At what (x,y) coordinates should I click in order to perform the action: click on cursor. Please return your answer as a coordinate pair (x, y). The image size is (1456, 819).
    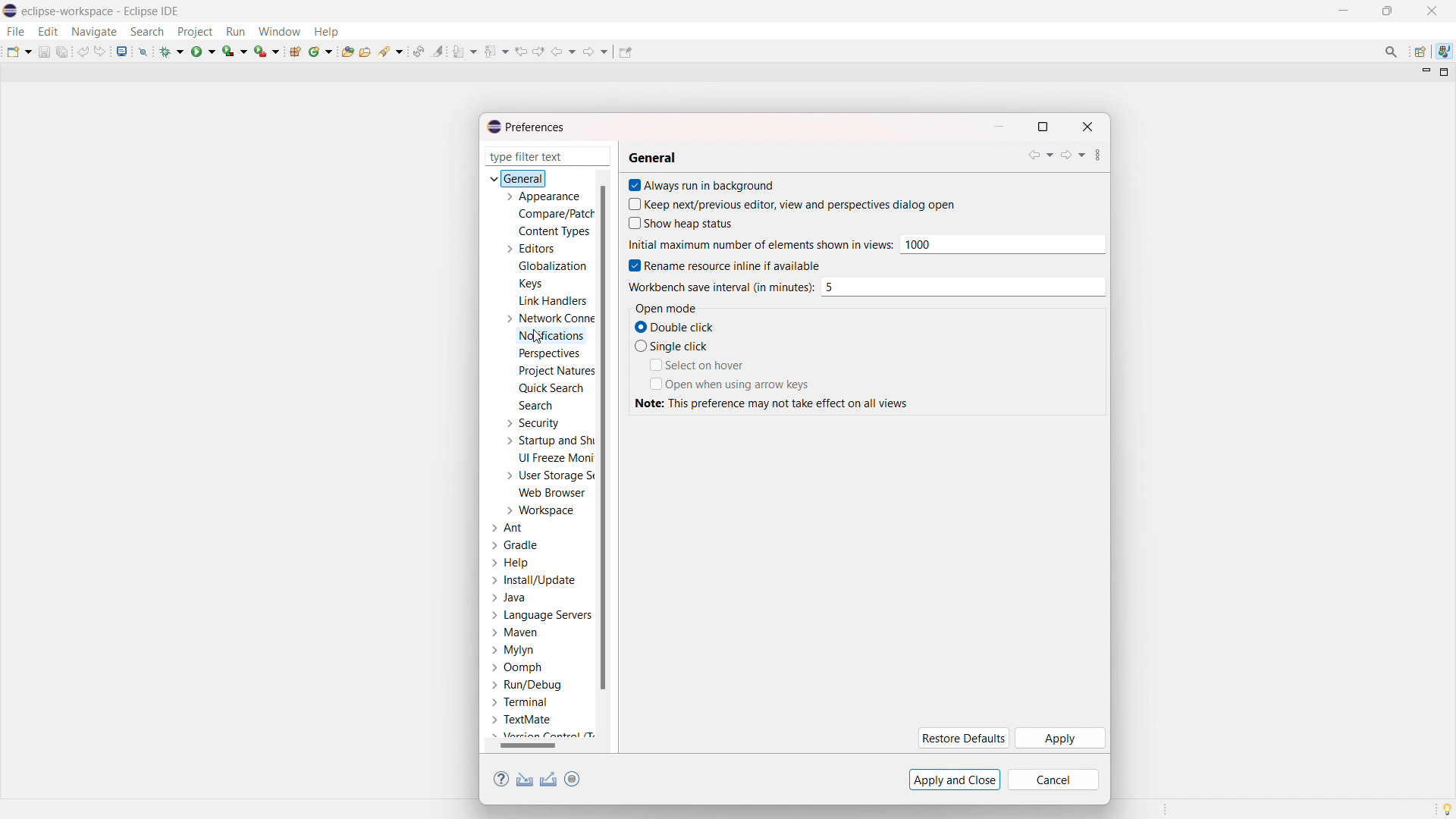
    Looking at the image, I should click on (719, 287).